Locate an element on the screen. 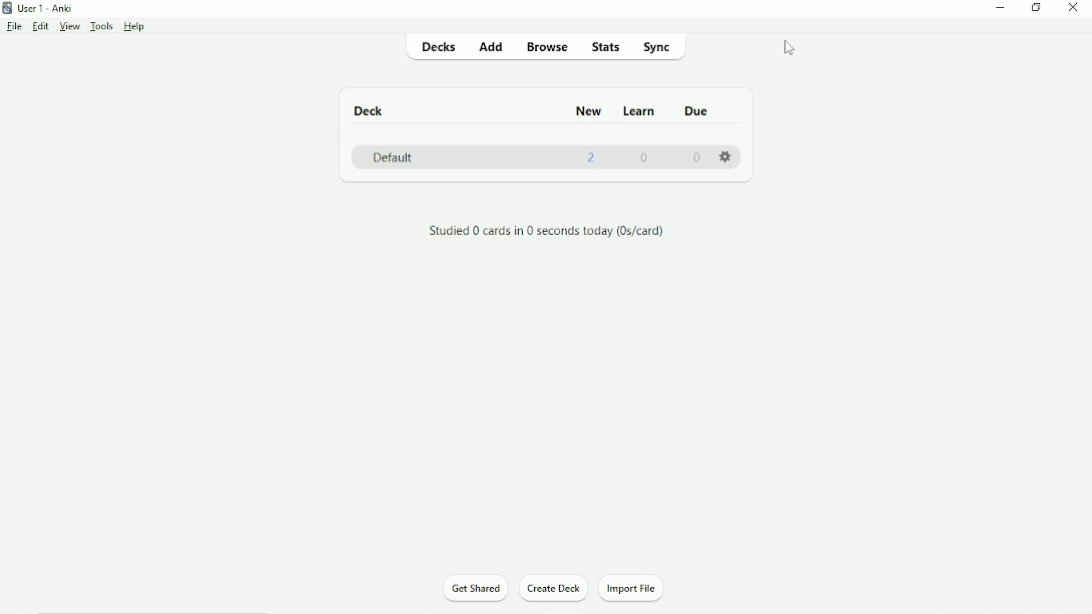 Image resolution: width=1092 pixels, height=614 pixels. Due is located at coordinates (699, 110).